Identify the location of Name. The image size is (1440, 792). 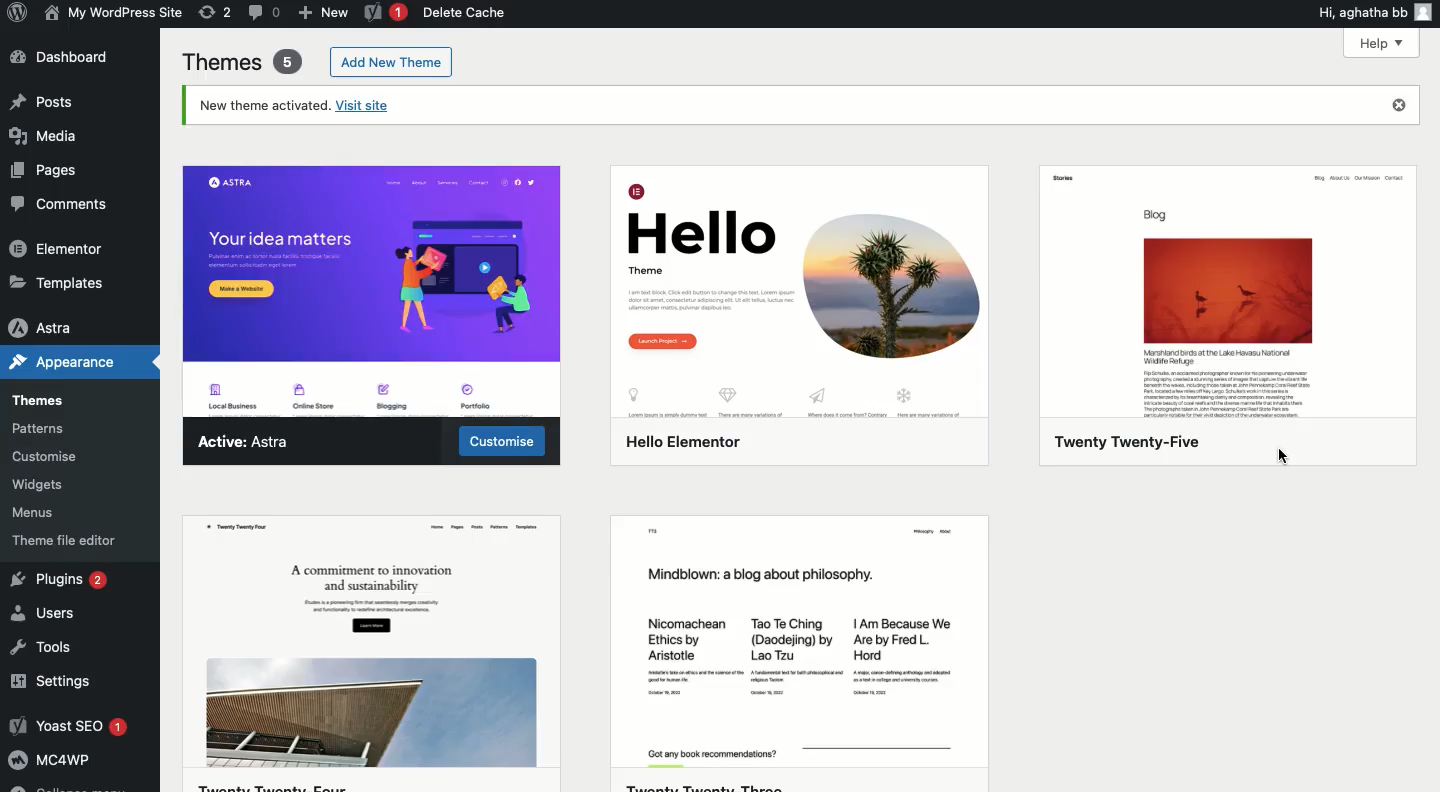
(114, 12).